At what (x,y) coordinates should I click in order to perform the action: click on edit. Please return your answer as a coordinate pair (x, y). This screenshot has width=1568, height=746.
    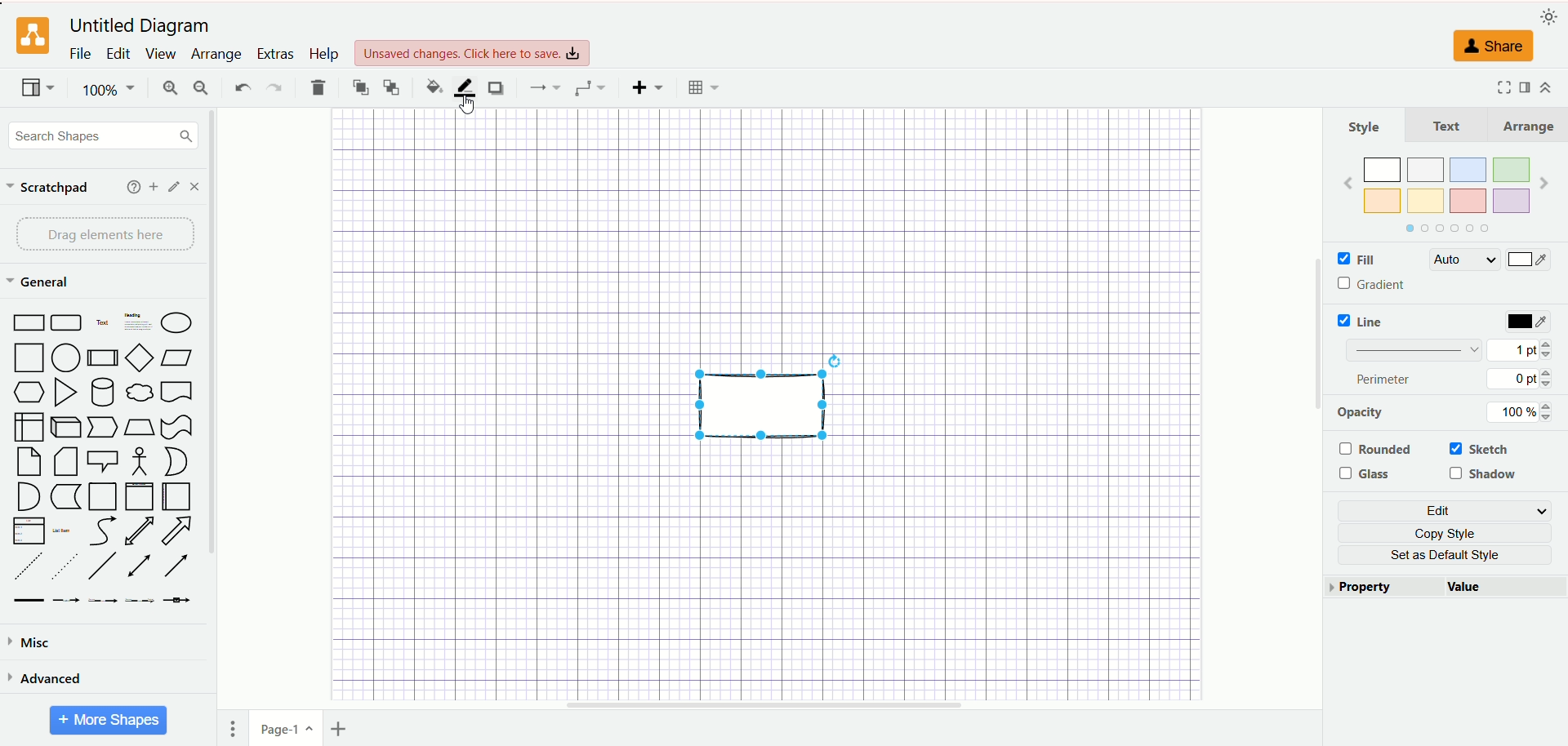
    Looking at the image, I should click on (1444, 509).